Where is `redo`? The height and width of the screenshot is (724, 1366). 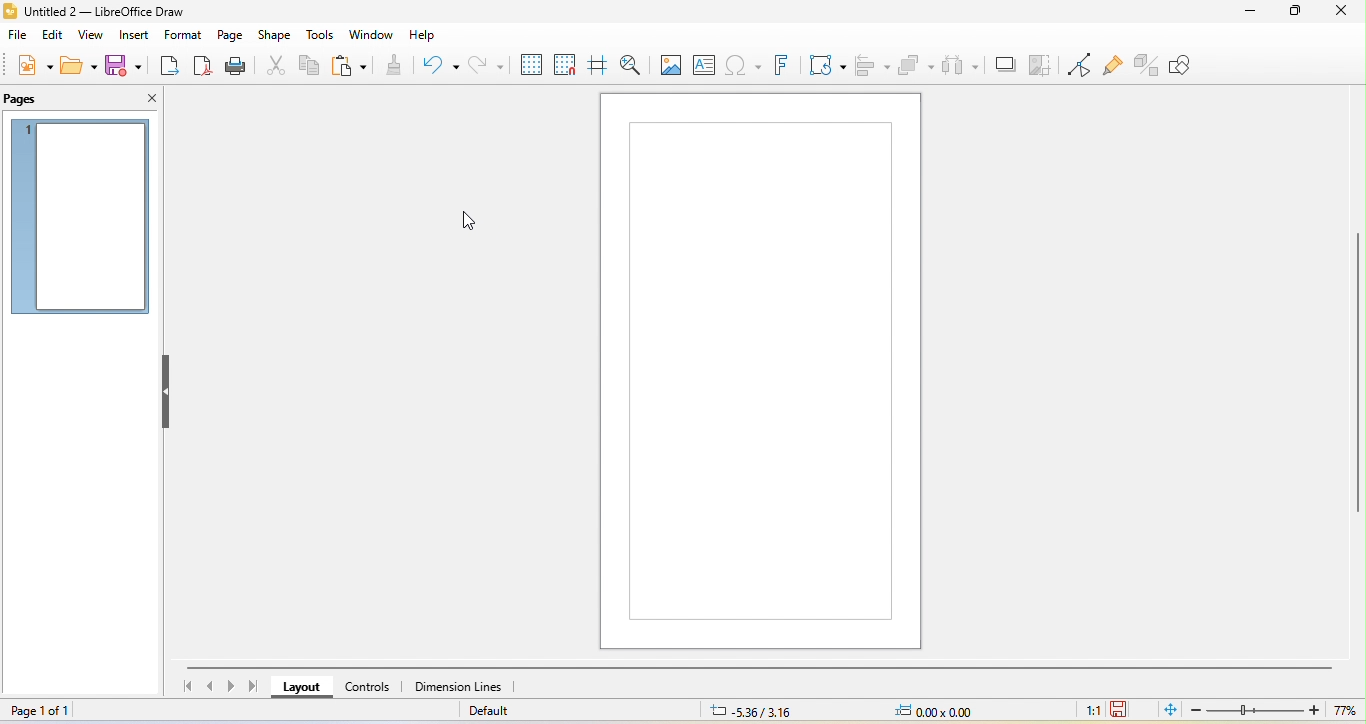
redo is located at coordinates (485, 64).